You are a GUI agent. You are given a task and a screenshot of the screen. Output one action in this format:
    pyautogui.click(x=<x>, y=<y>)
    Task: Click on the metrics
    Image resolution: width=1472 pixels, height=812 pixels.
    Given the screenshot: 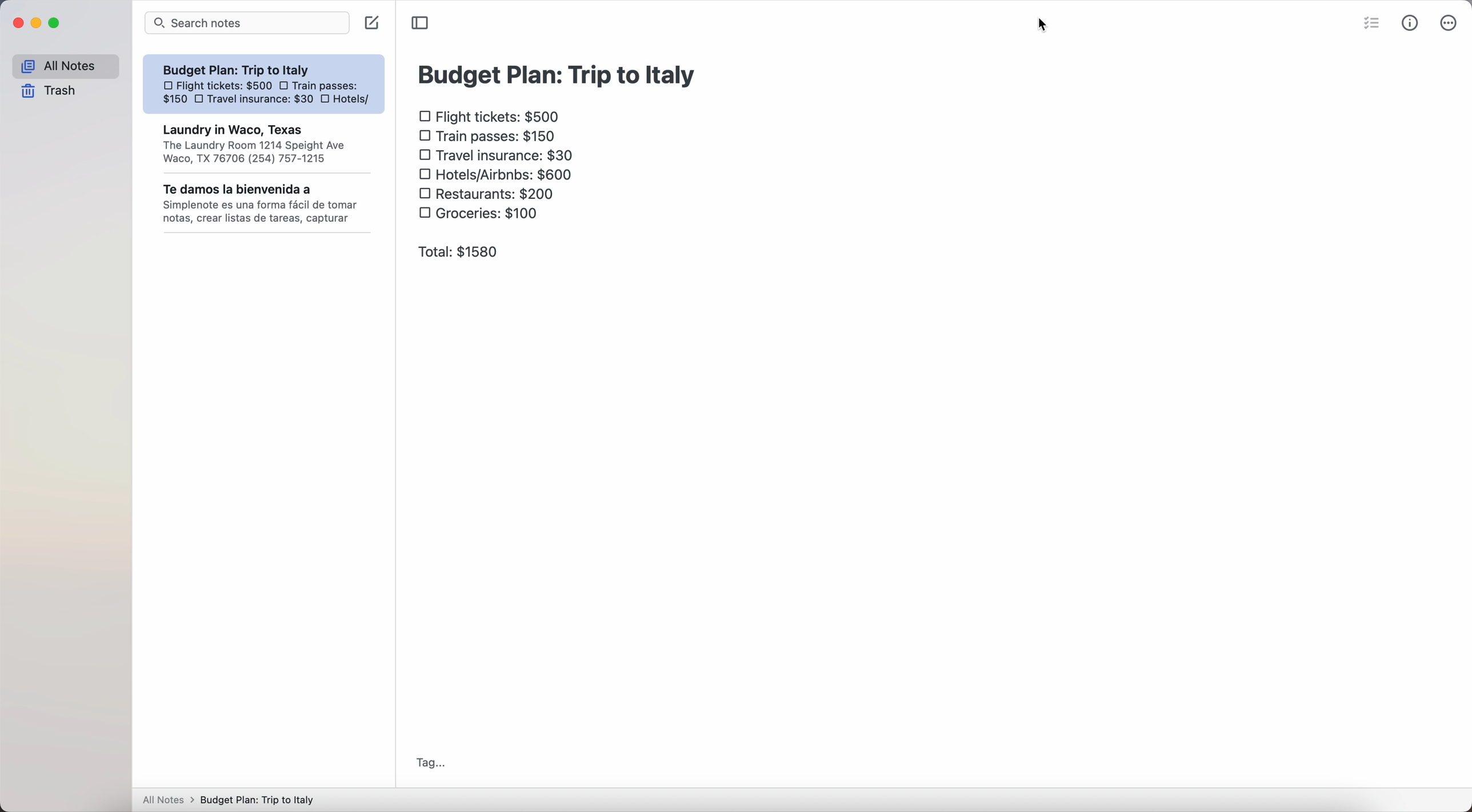 What is the action you would take?
    pyautogui.click(x=1413, y=23)
    